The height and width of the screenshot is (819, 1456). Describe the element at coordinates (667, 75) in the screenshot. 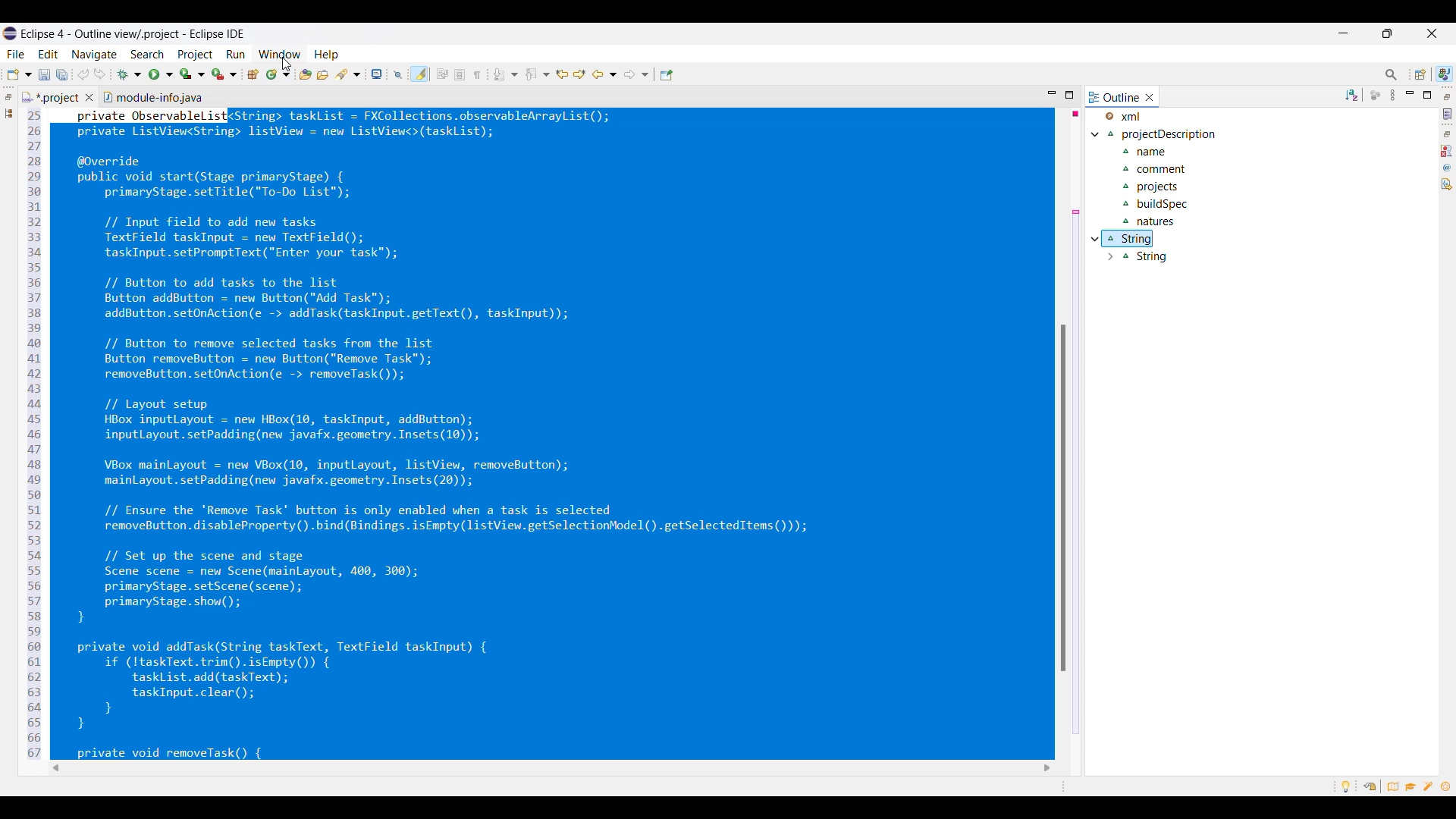

I see `Pin editor` at that location.